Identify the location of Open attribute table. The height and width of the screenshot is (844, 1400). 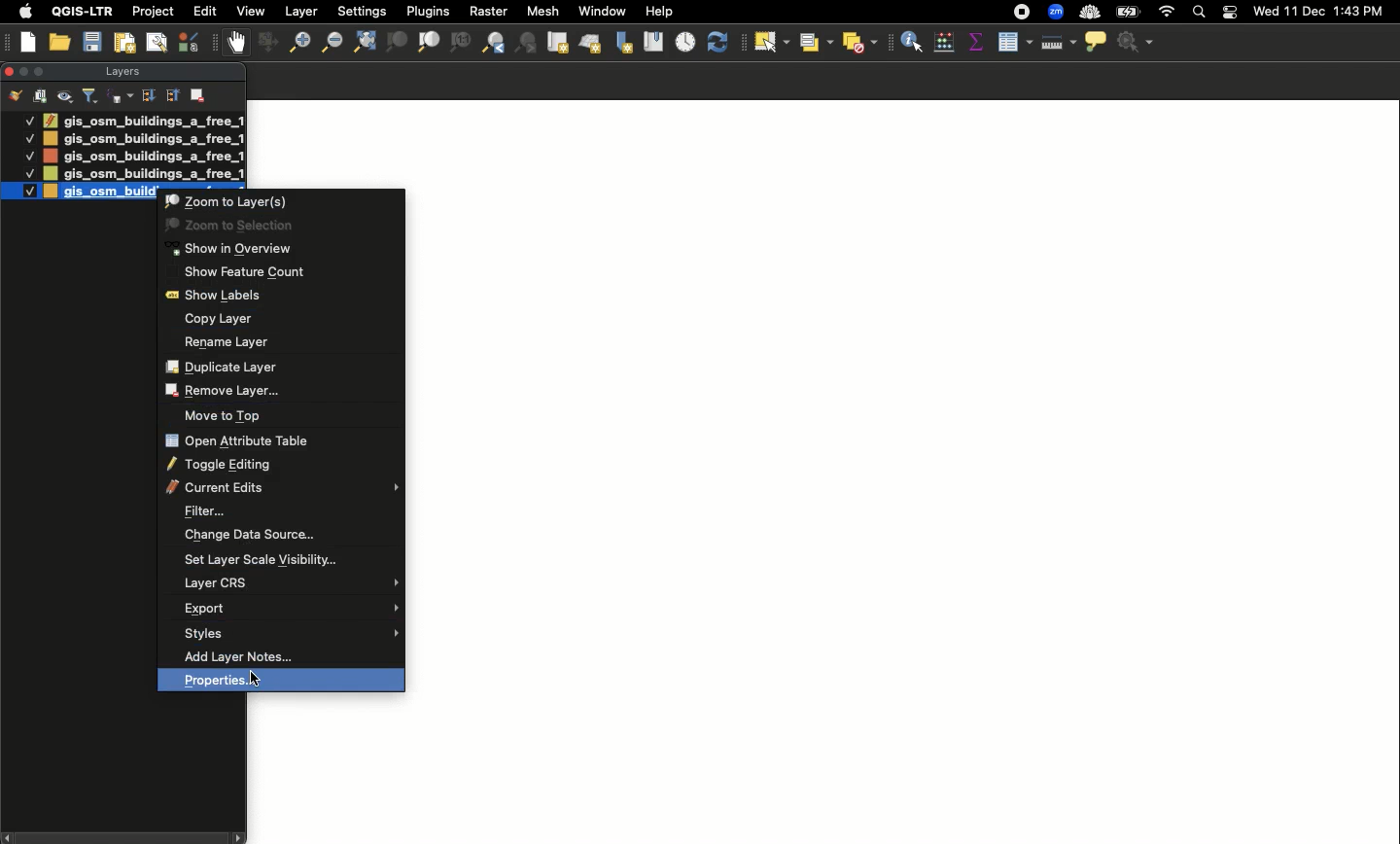
(1013, 43).